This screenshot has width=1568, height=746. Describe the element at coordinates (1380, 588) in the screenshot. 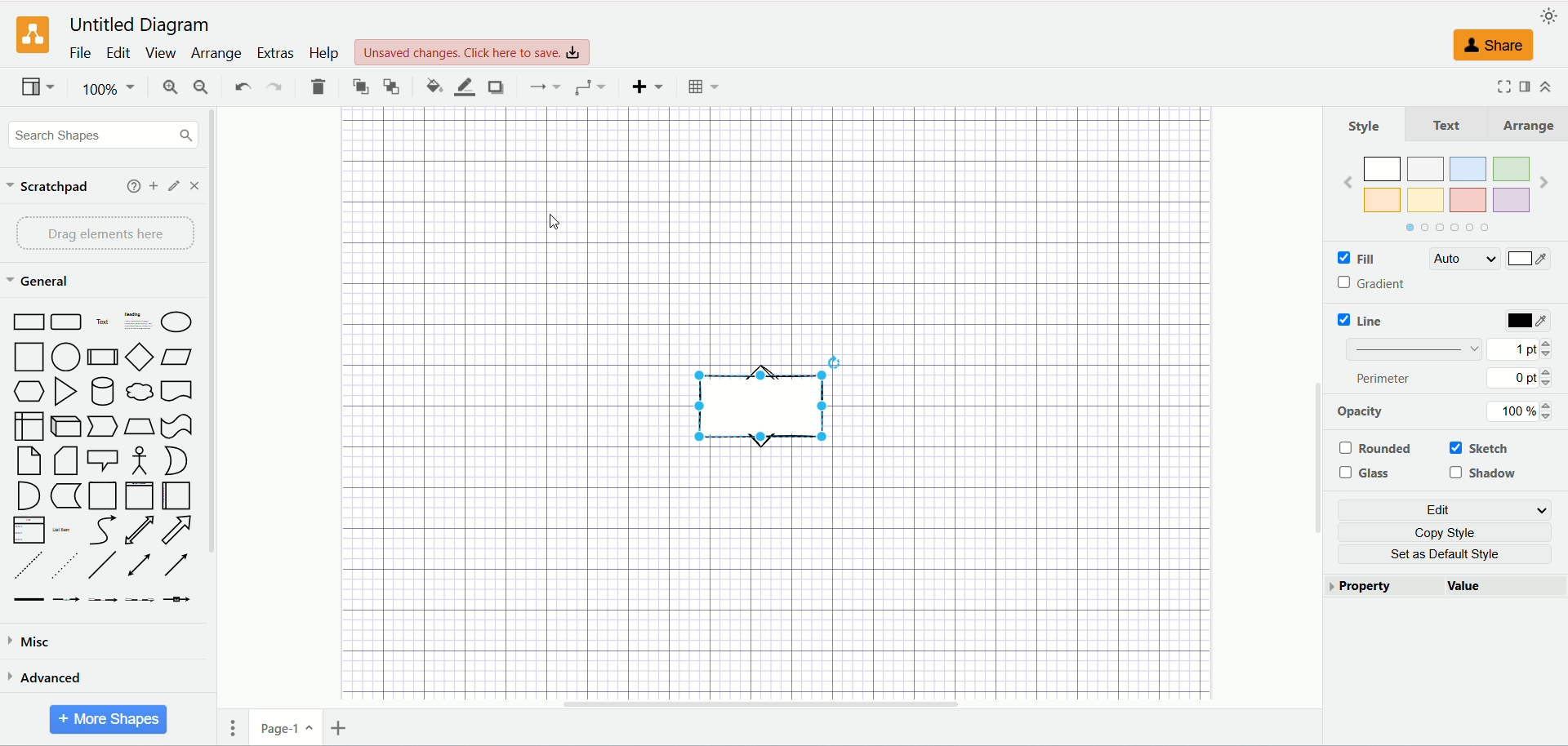

I see `property` at that location.